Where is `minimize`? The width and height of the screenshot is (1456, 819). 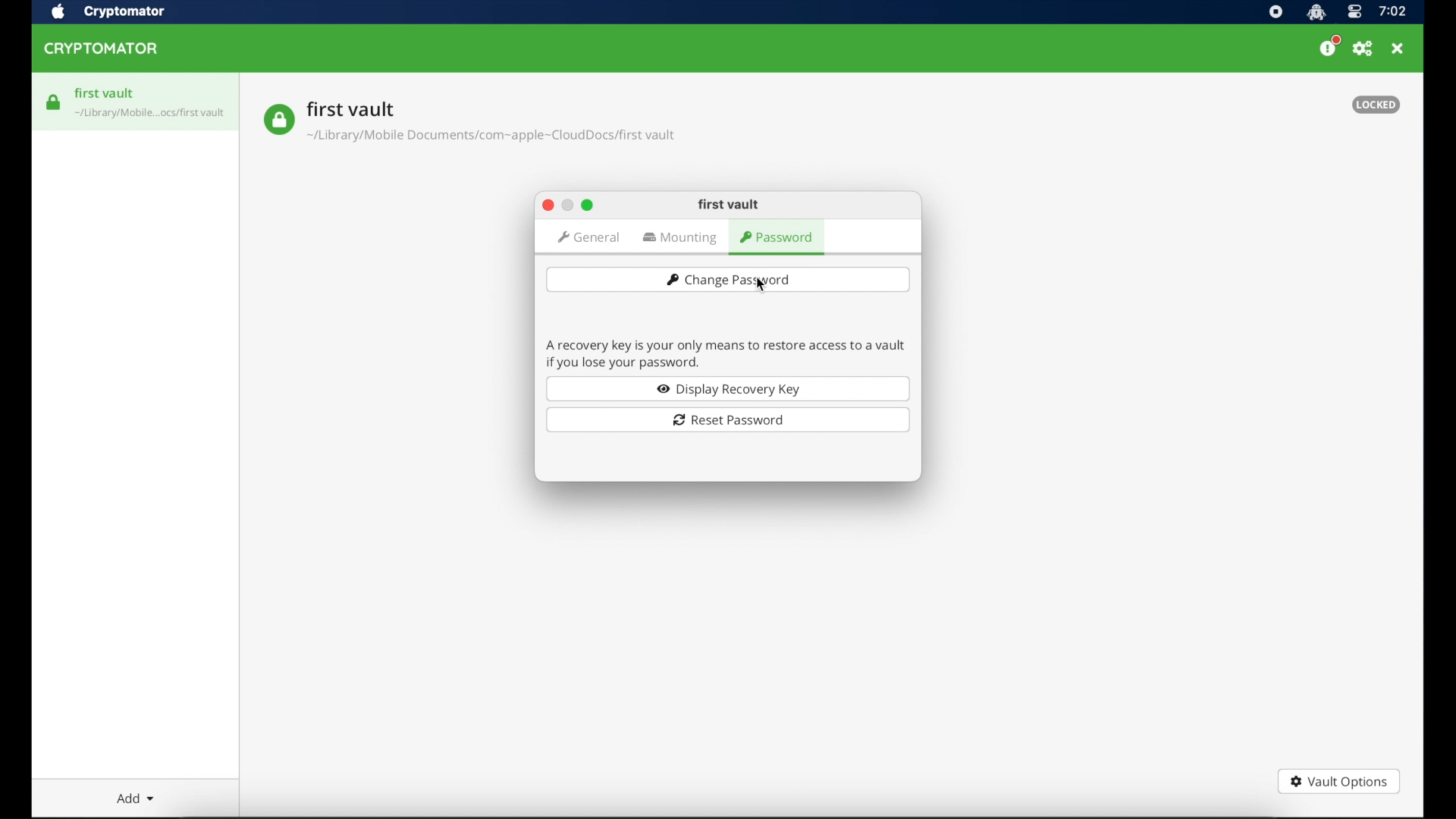 minimize is located at coordinates (566, 206).